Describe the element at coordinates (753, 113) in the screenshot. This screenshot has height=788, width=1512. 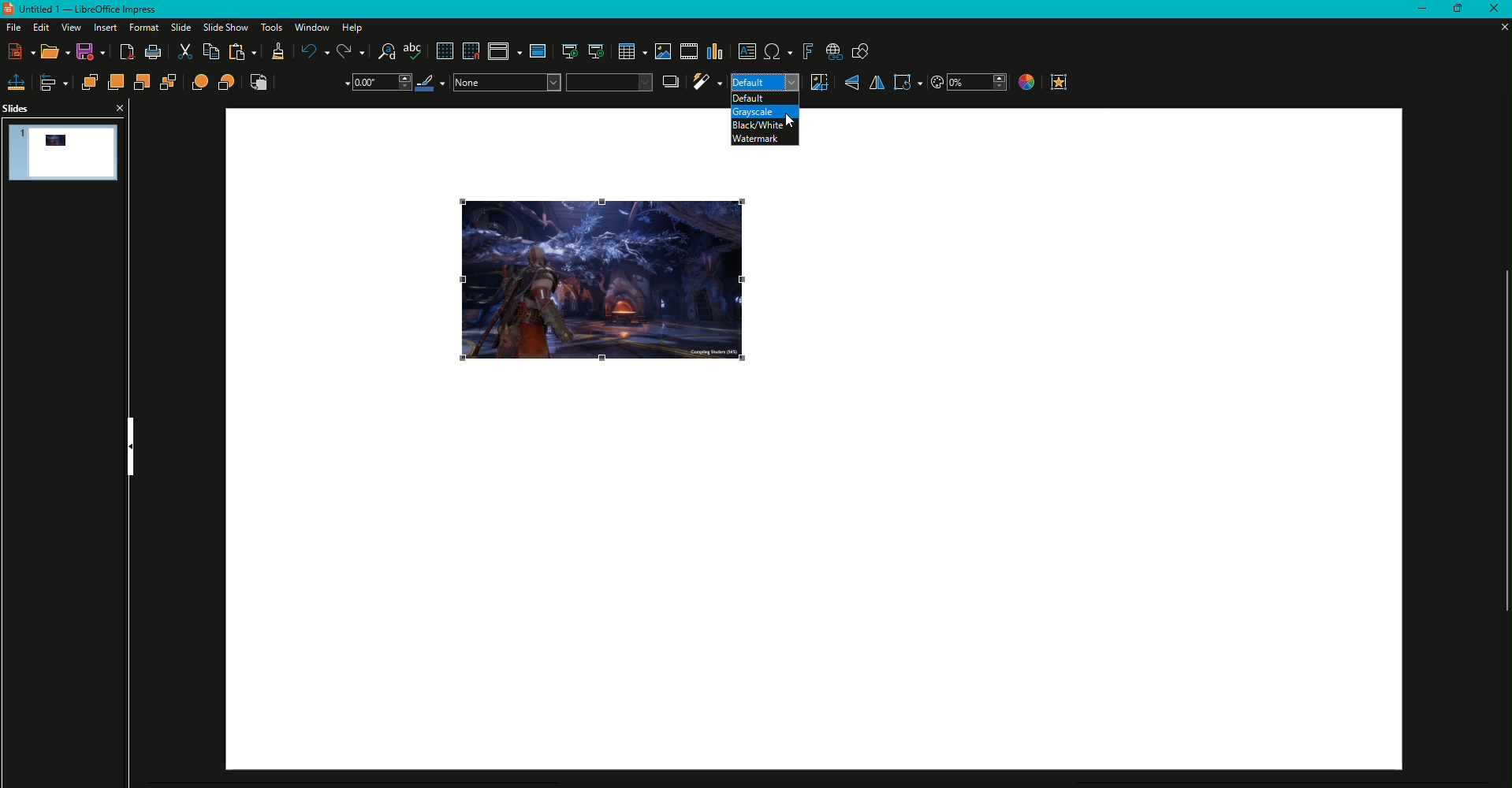
I see `Grayscale` at that location.